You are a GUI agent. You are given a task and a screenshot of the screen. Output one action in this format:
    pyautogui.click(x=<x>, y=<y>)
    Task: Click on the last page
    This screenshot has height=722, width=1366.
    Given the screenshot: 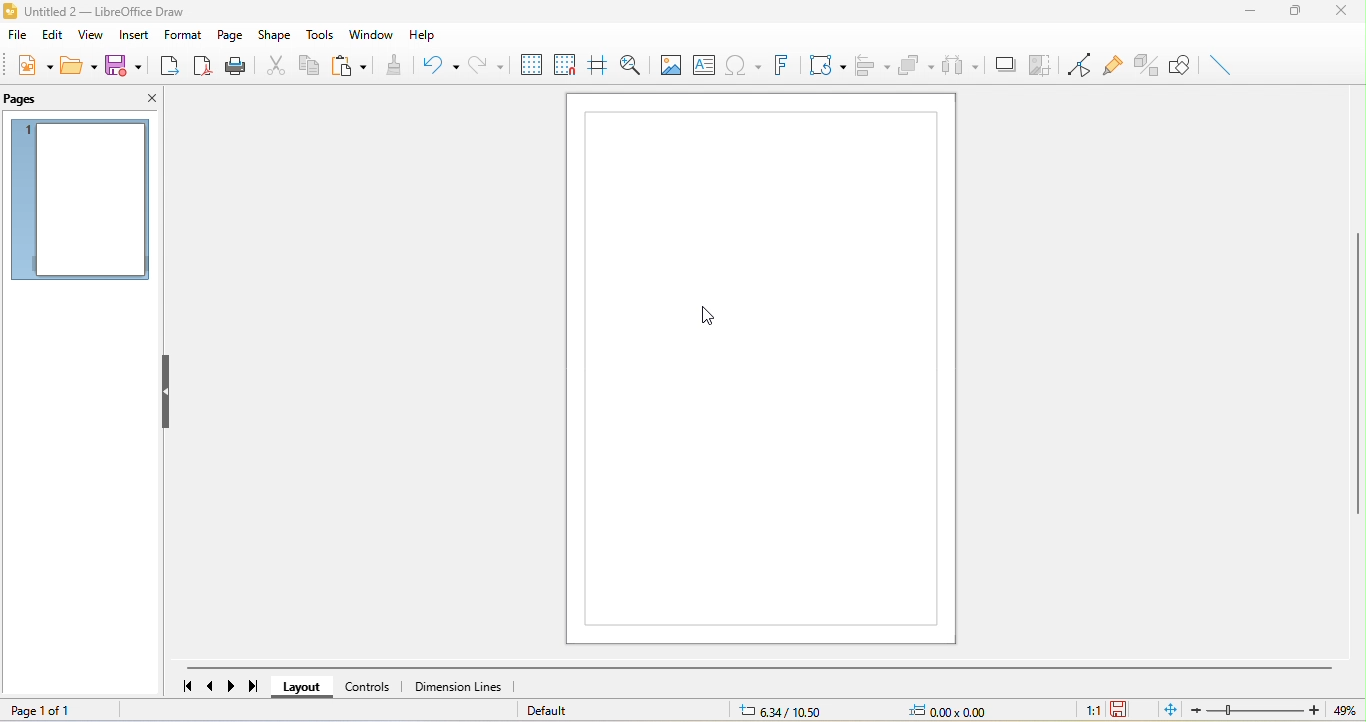 What is the action you would take?
    pyautogui.click(x=256, y=688)
    